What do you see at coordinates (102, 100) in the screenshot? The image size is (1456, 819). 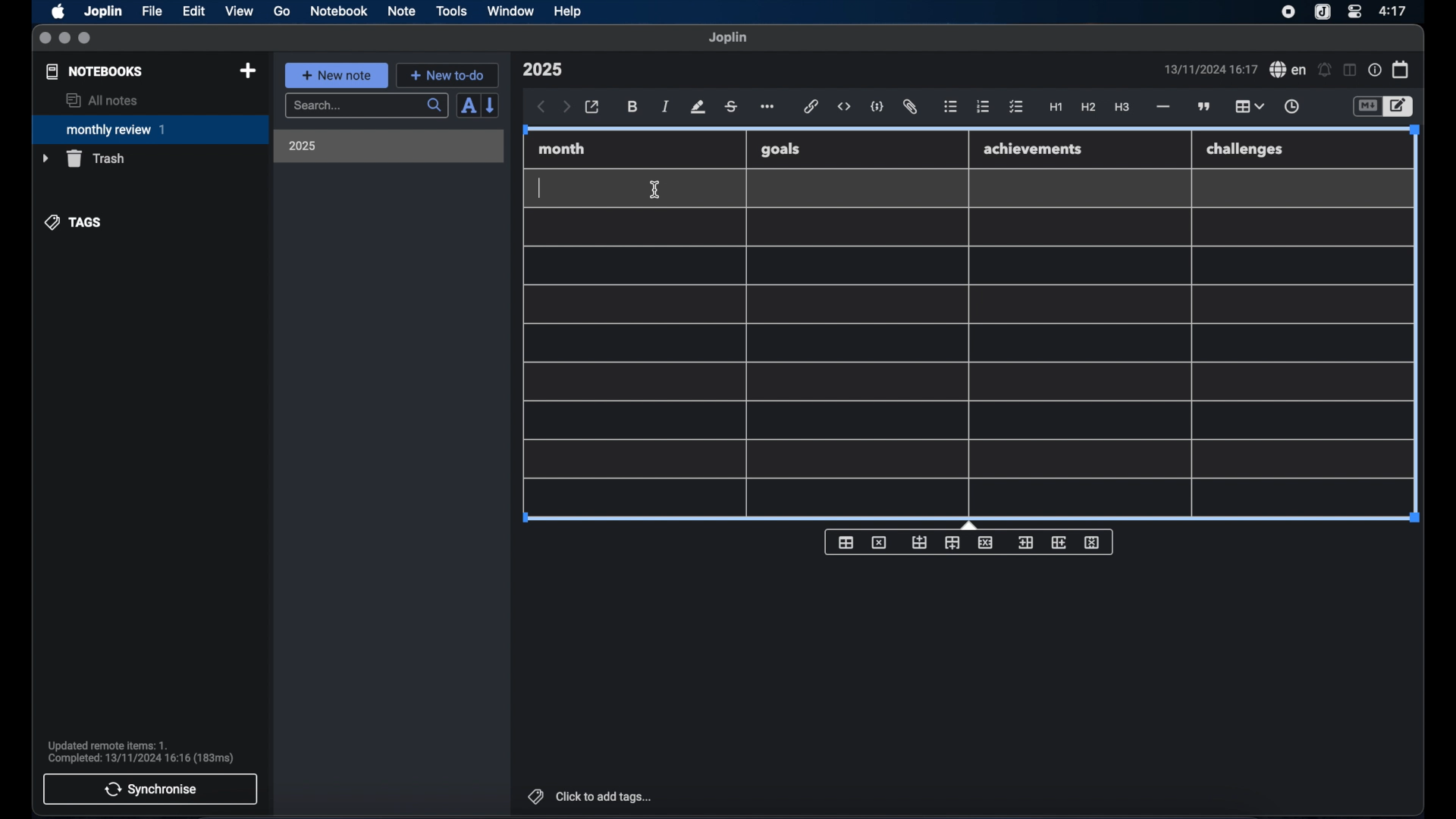 I see `all notes` at bounding box center [102, 100].